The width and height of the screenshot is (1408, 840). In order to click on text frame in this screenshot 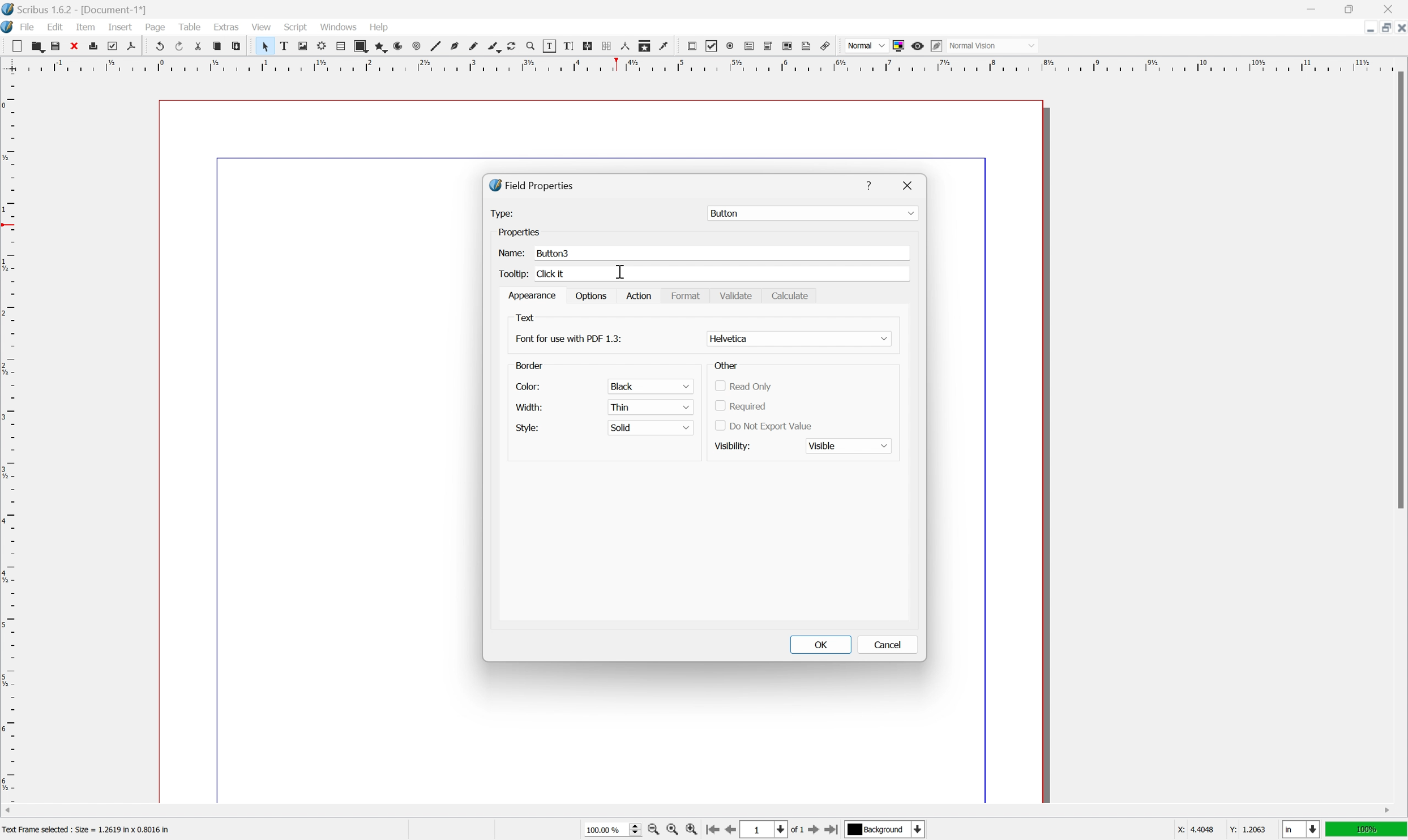, I will do `click(284, 47)`.